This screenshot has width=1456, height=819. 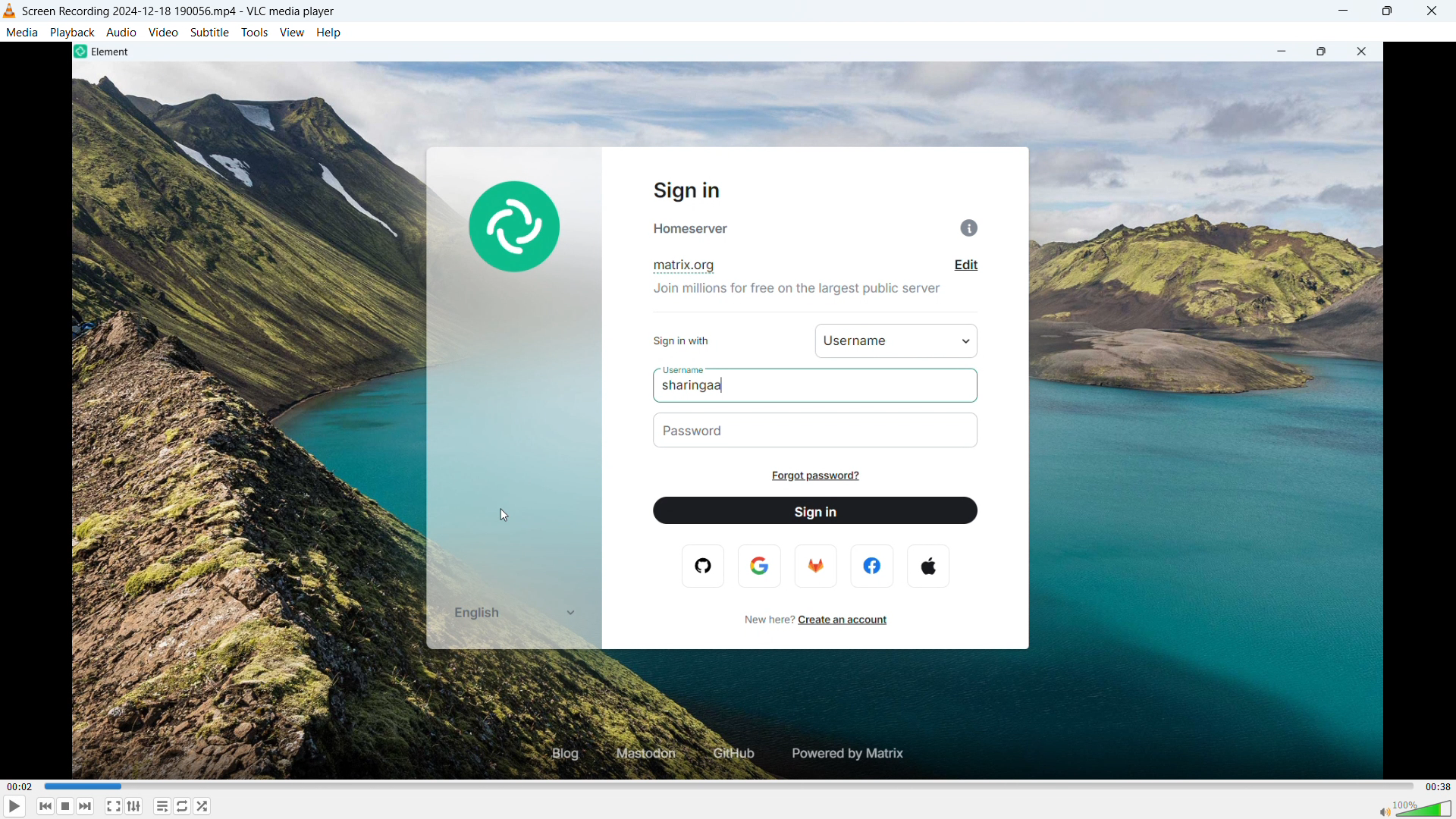 What do you see at coordinates (66, 806) in the screenshot?
I see `stop playback` at bounding box center [66, 806].